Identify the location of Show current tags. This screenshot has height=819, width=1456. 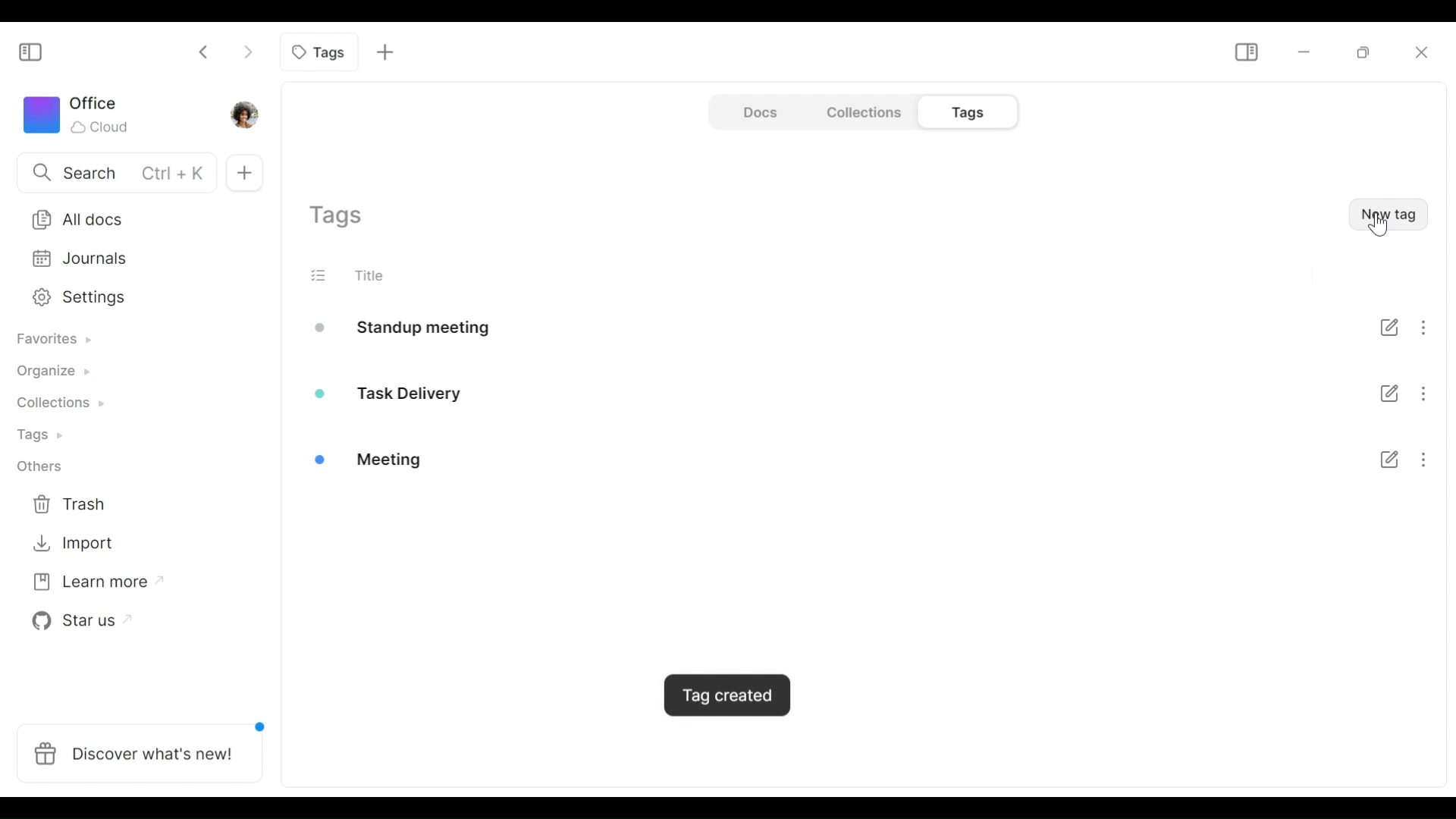
(340, 218).